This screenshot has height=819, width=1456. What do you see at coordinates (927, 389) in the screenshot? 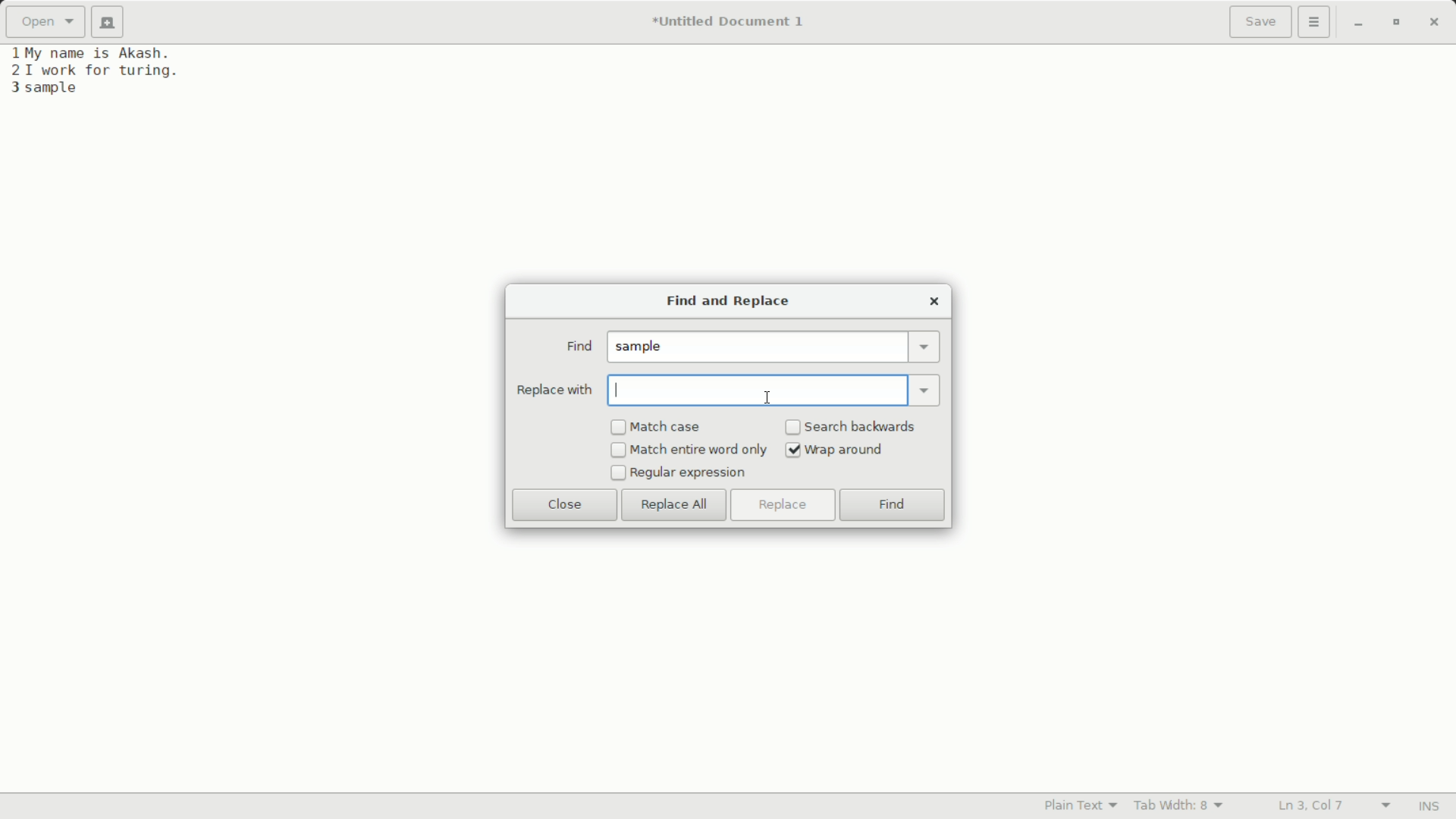
I see `dropdown` at bounding box center [927, 389].